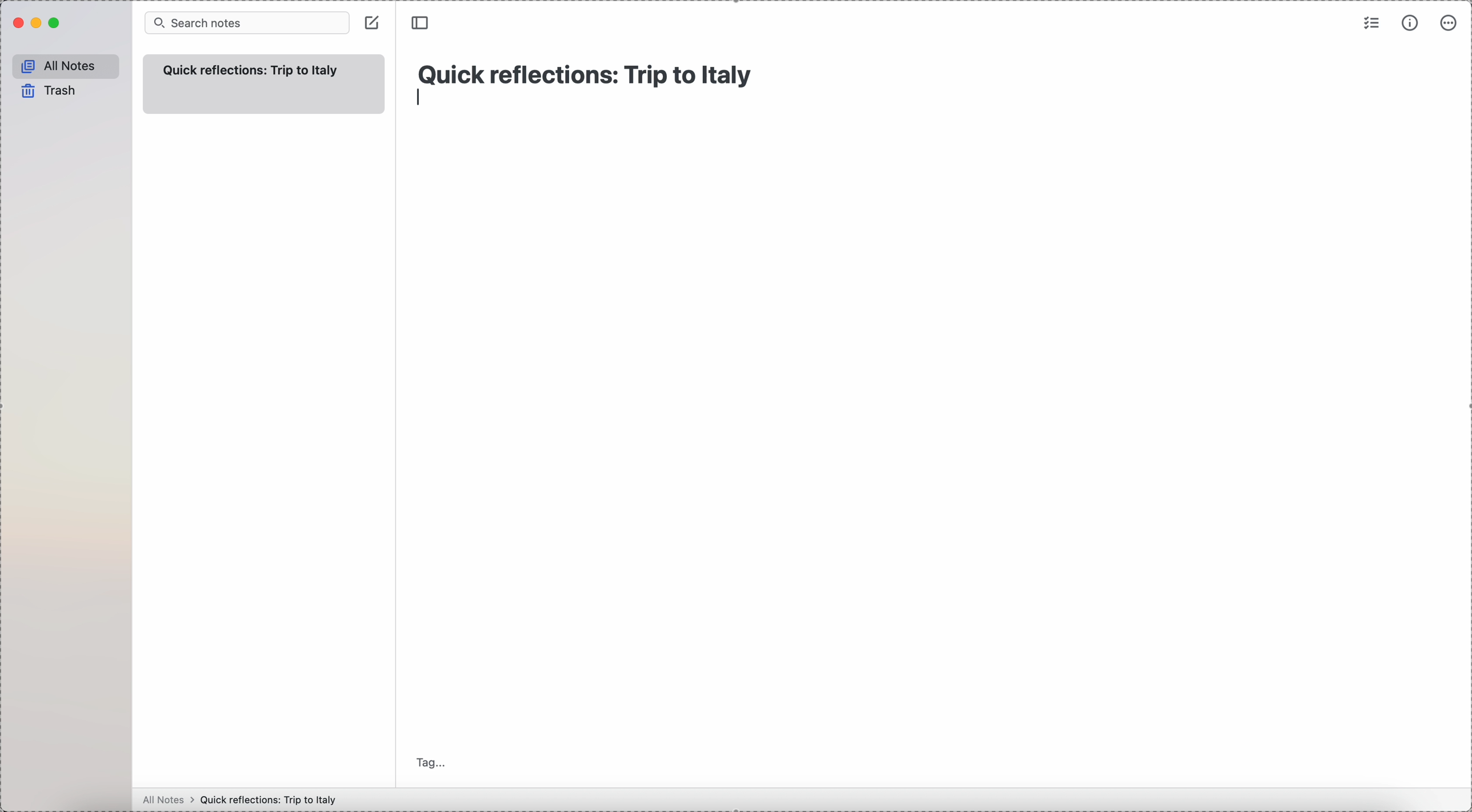 The image size is (1472, 812). Describe the element at coordinates (271, 799) in the screenshot. I see `Quick reflections: Trip to Italy` at that location.